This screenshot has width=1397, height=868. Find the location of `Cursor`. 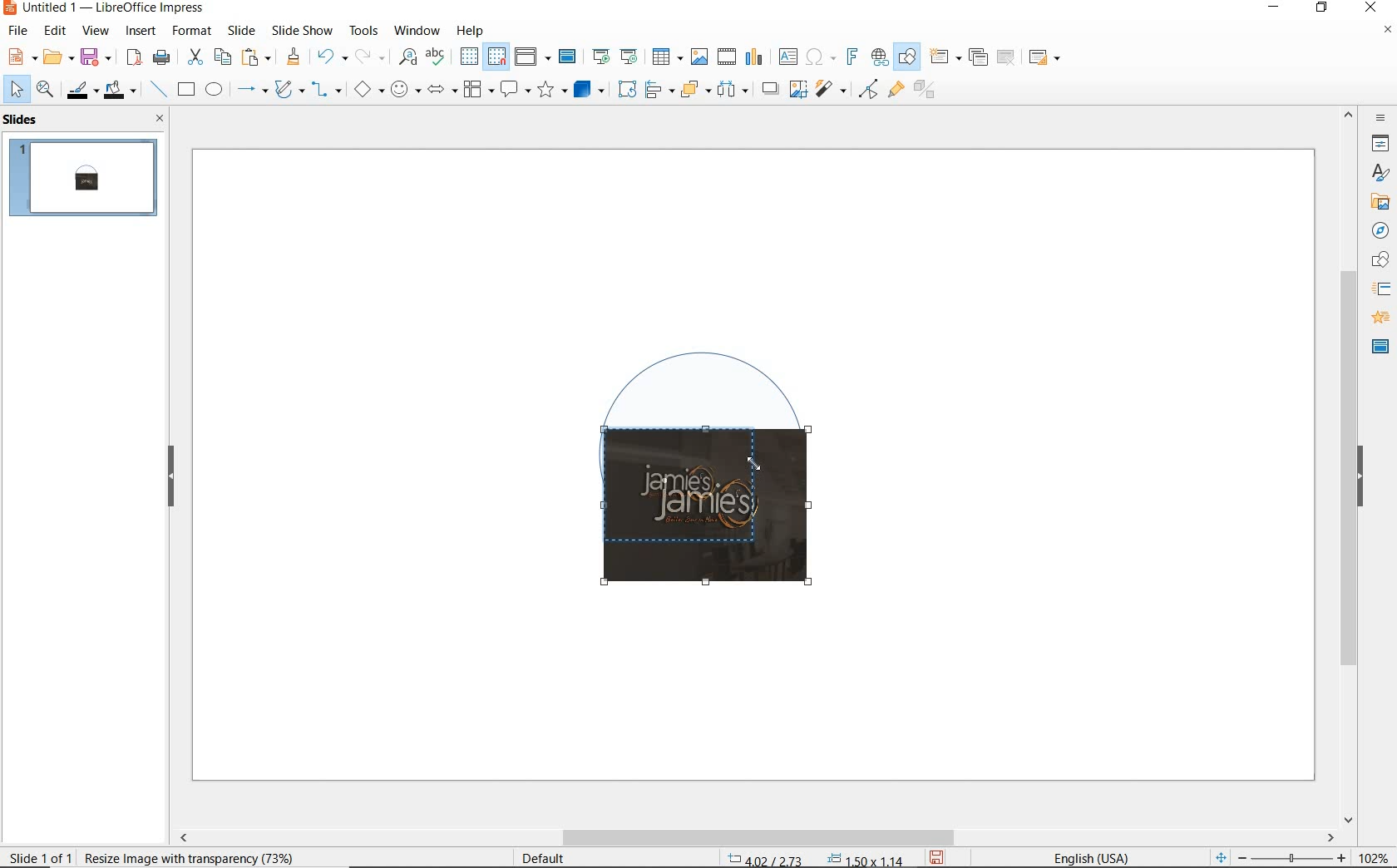

Cursor is located at coordinates (754, 462).